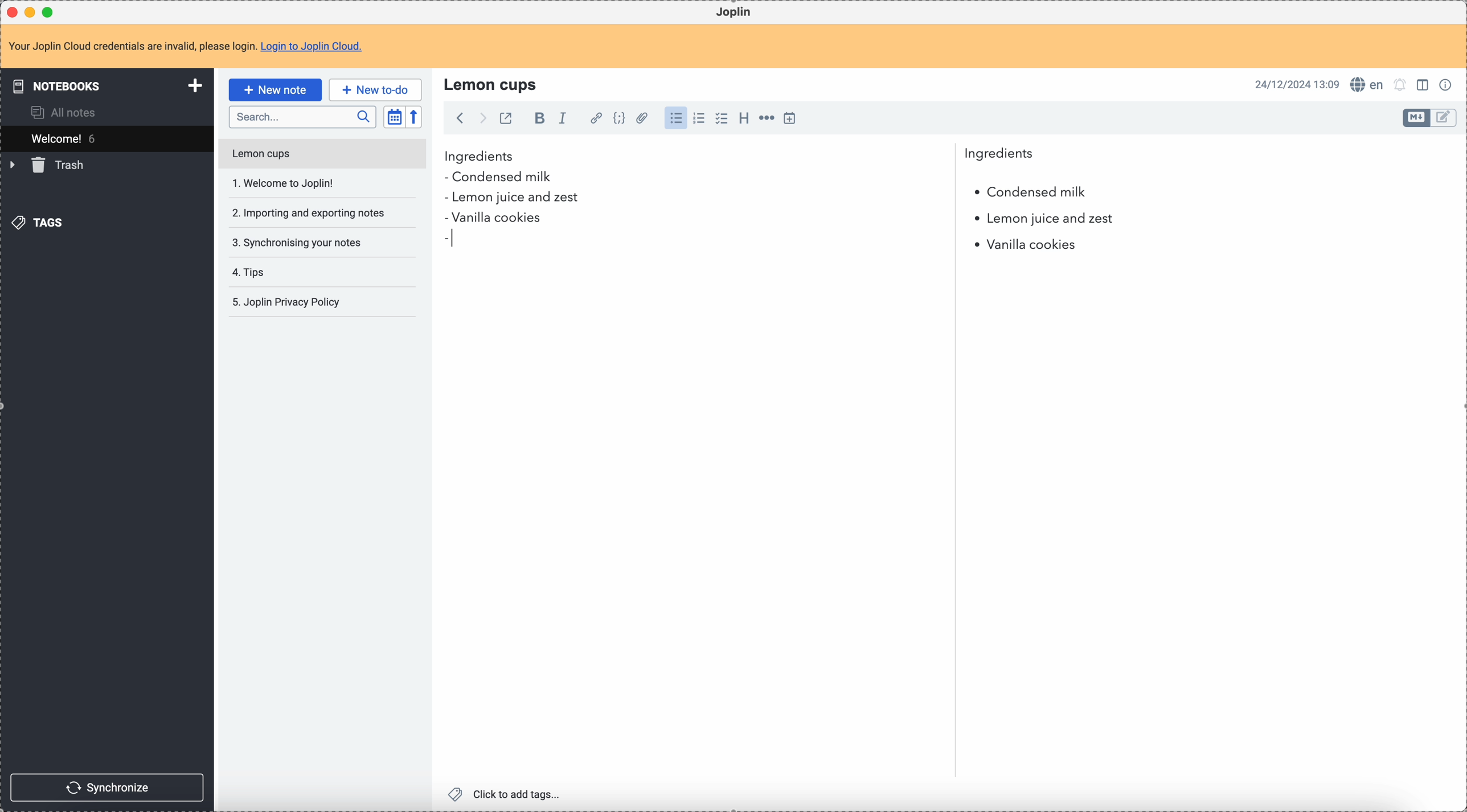 This screenshot has width=1467, height=812. I want to click on insert time, so click(789, 118).